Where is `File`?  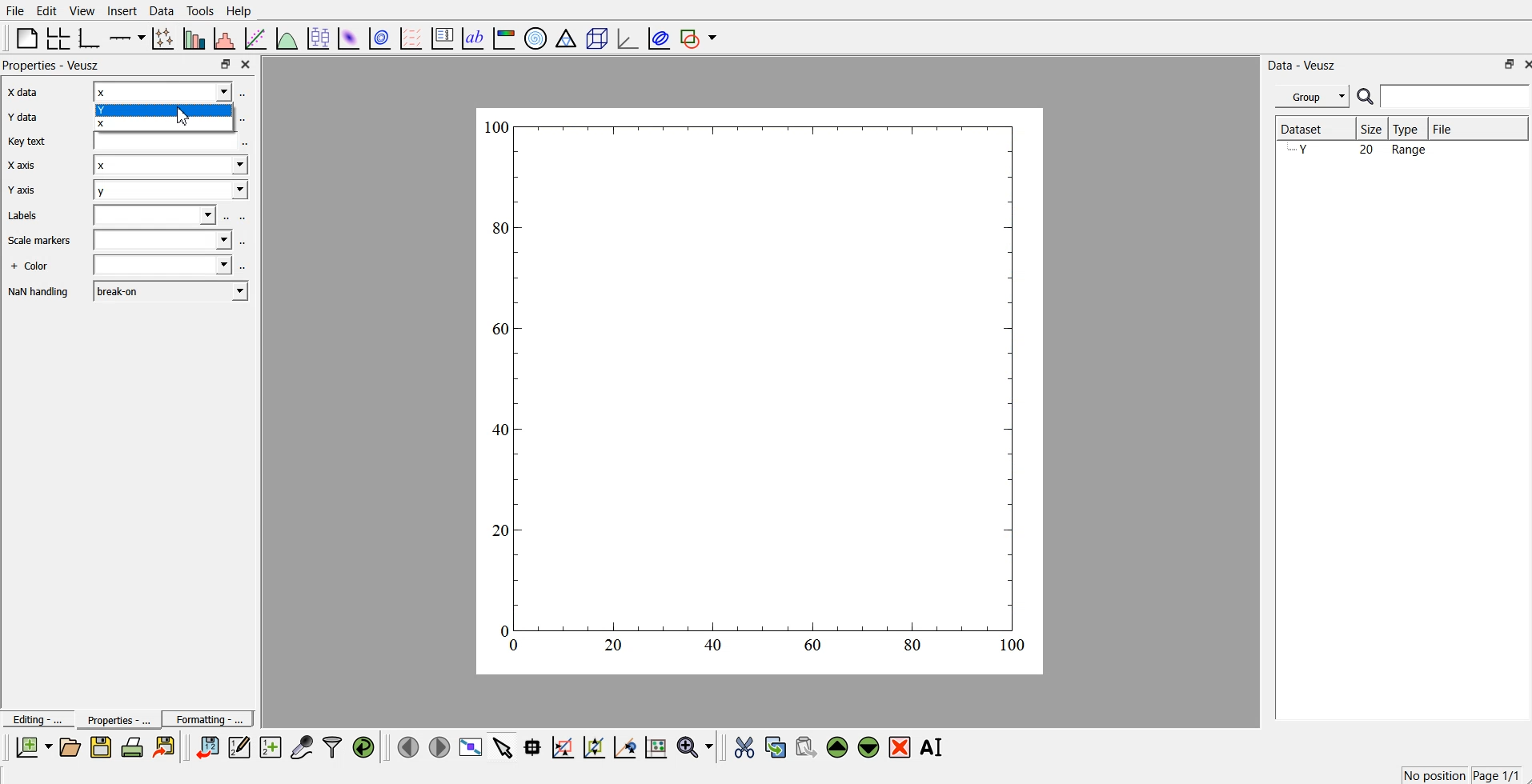 File is located at coordinates (15, 11).